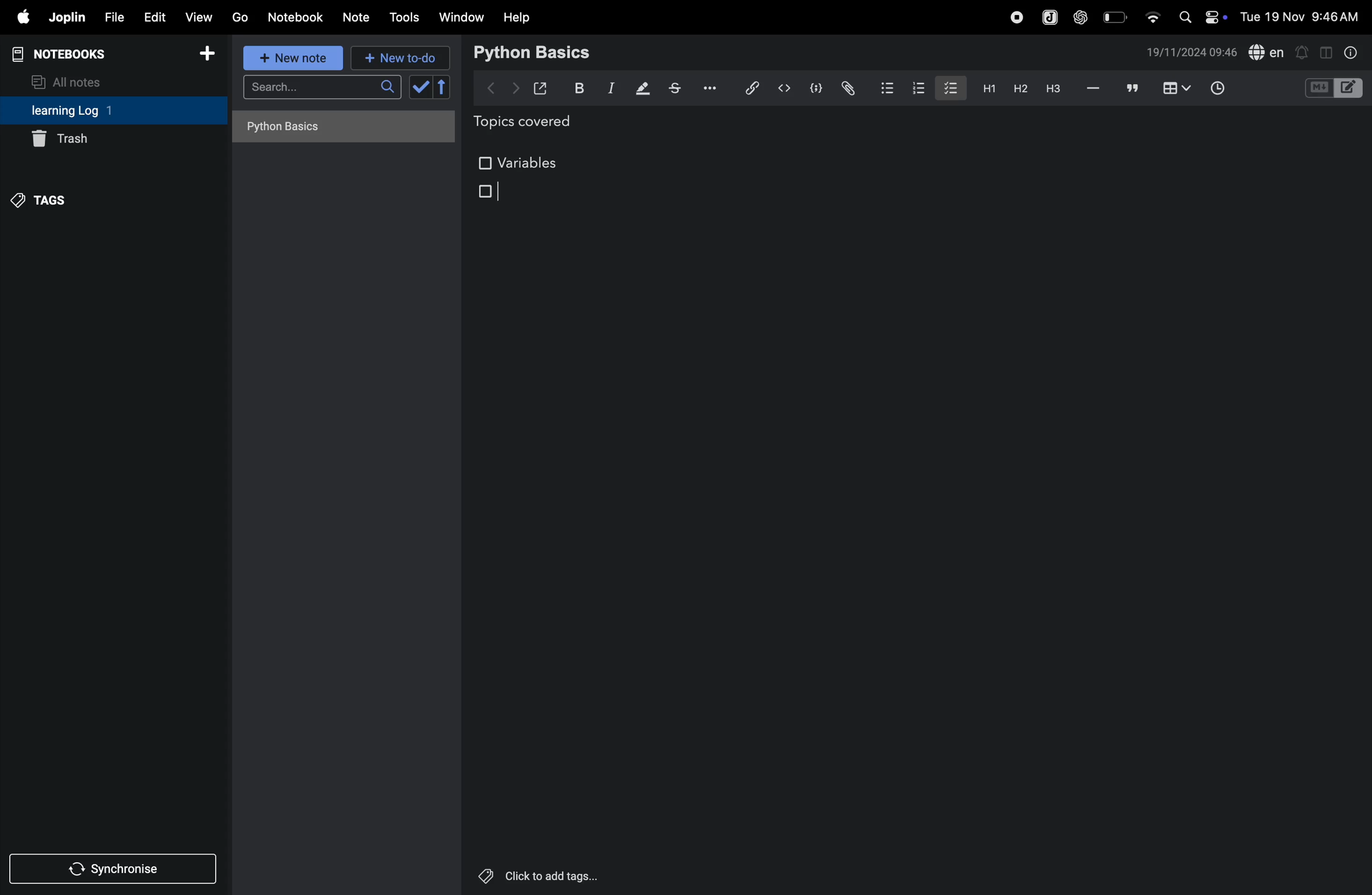  What do you see at coordinates (153, 17) in the screenshot?
I see `edit` at bounding box center [153, 17].